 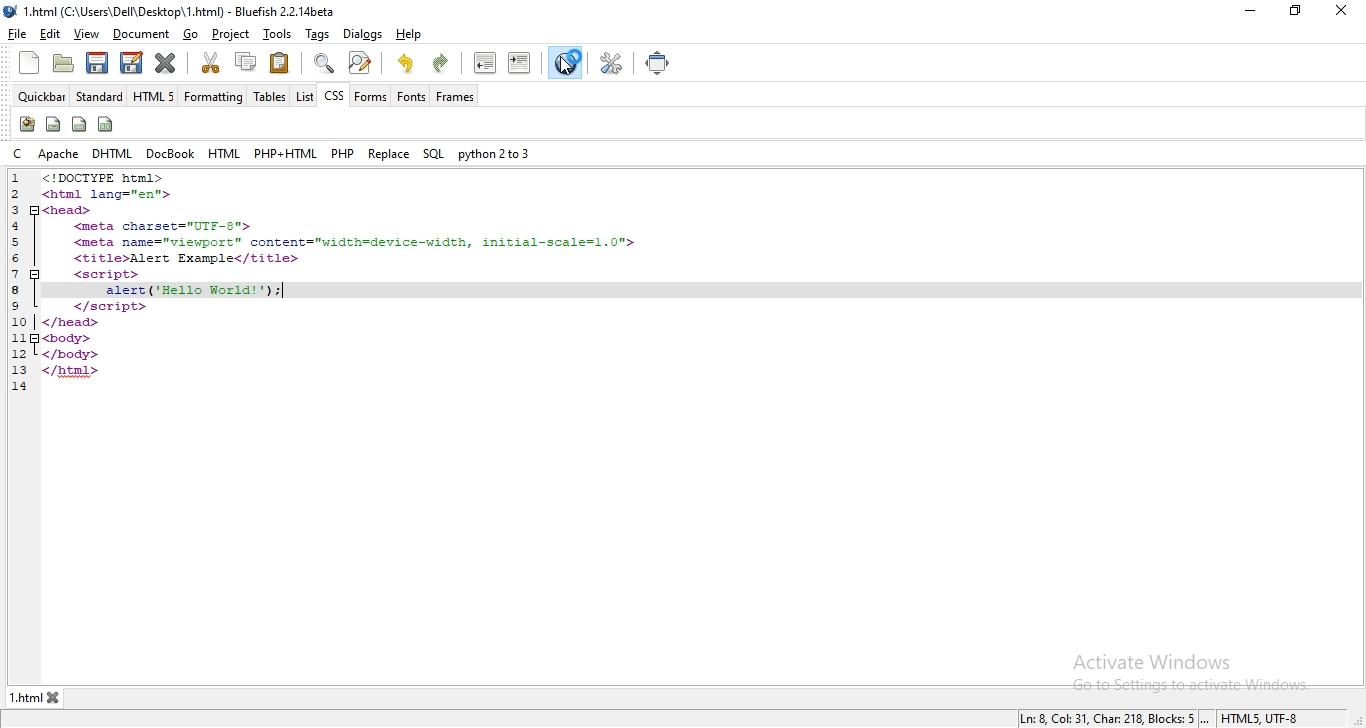 I want to click on php, so click(x=341, y=153).